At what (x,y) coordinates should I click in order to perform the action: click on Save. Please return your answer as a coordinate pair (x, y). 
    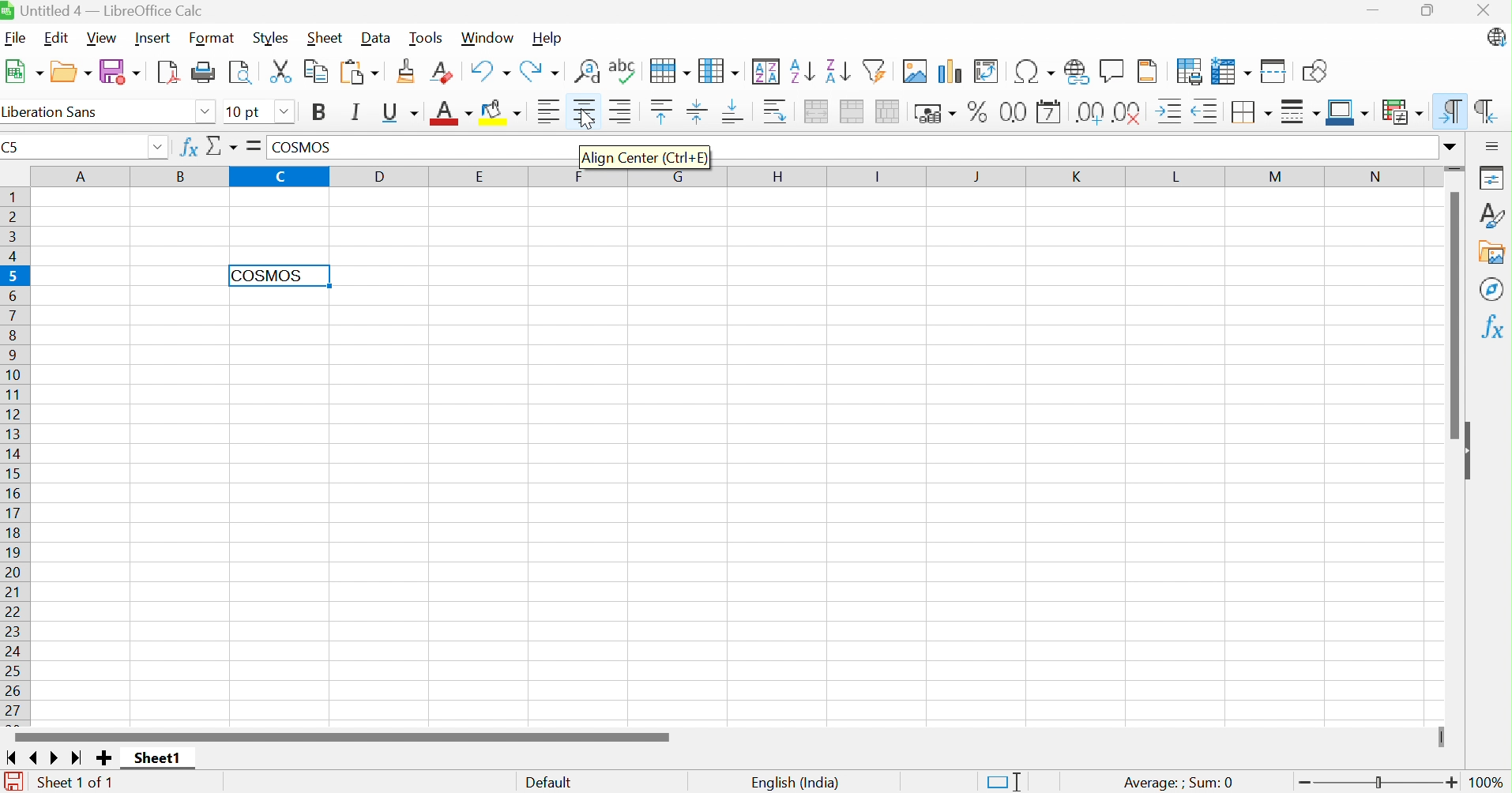
    Looking at the image, I should click on (119, 71).